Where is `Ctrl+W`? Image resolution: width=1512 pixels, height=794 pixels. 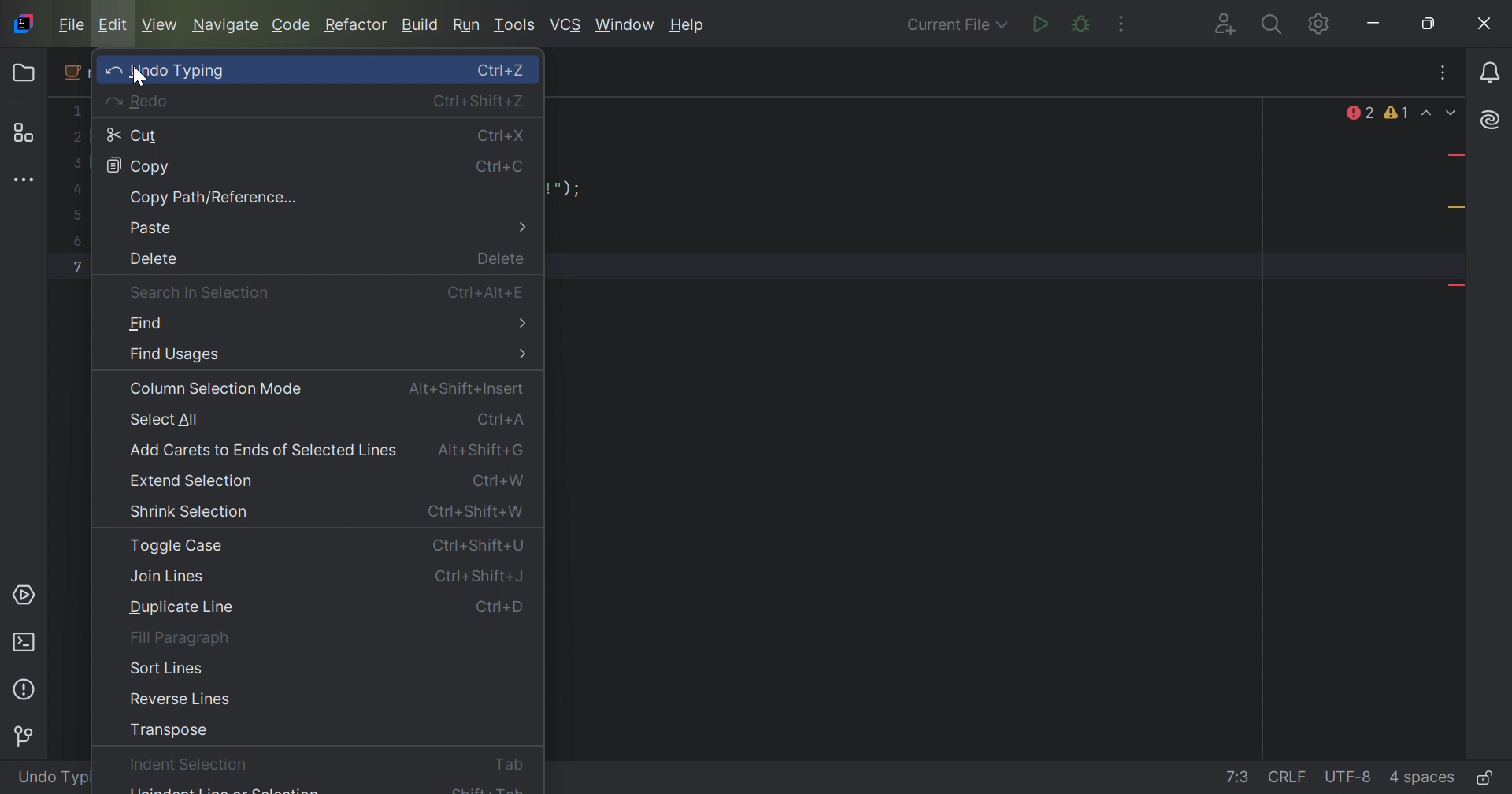 Ctrl+W is located at coordinates (500, 480).